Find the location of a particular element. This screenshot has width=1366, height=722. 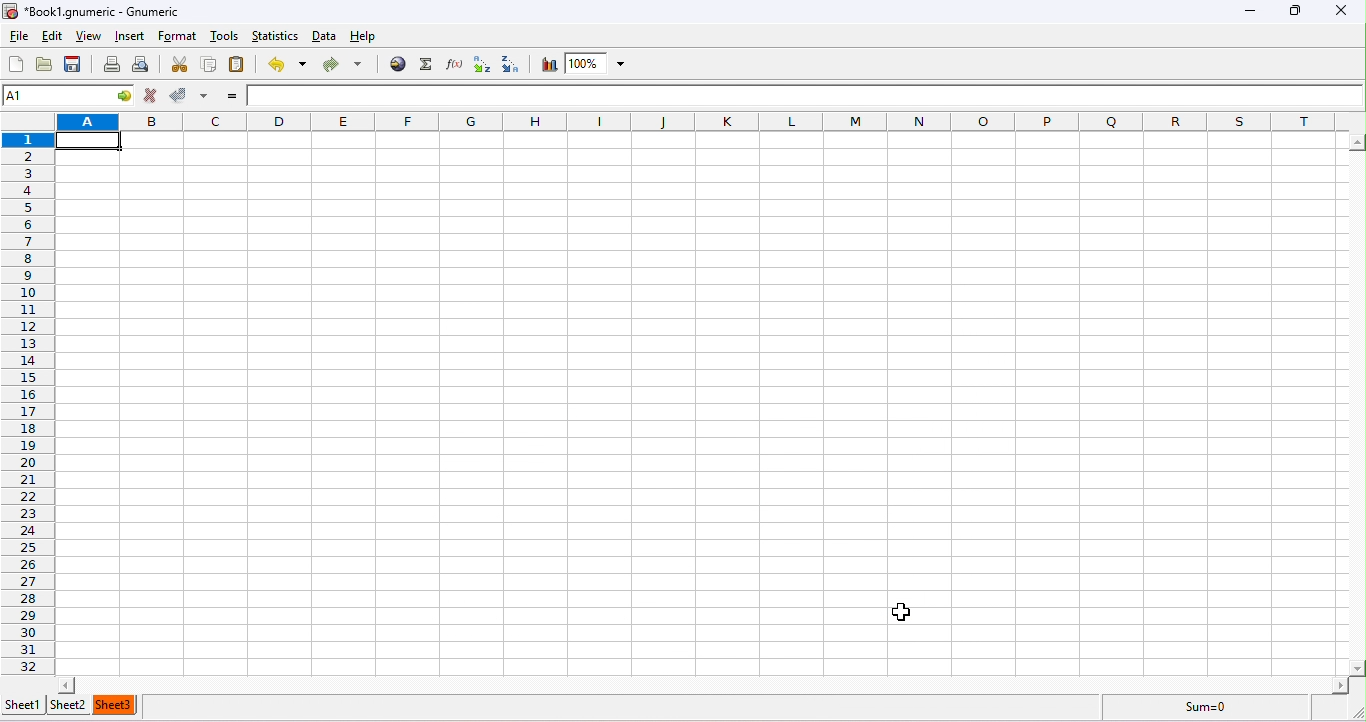

scroll bar is located at coordinates (1357, 403).